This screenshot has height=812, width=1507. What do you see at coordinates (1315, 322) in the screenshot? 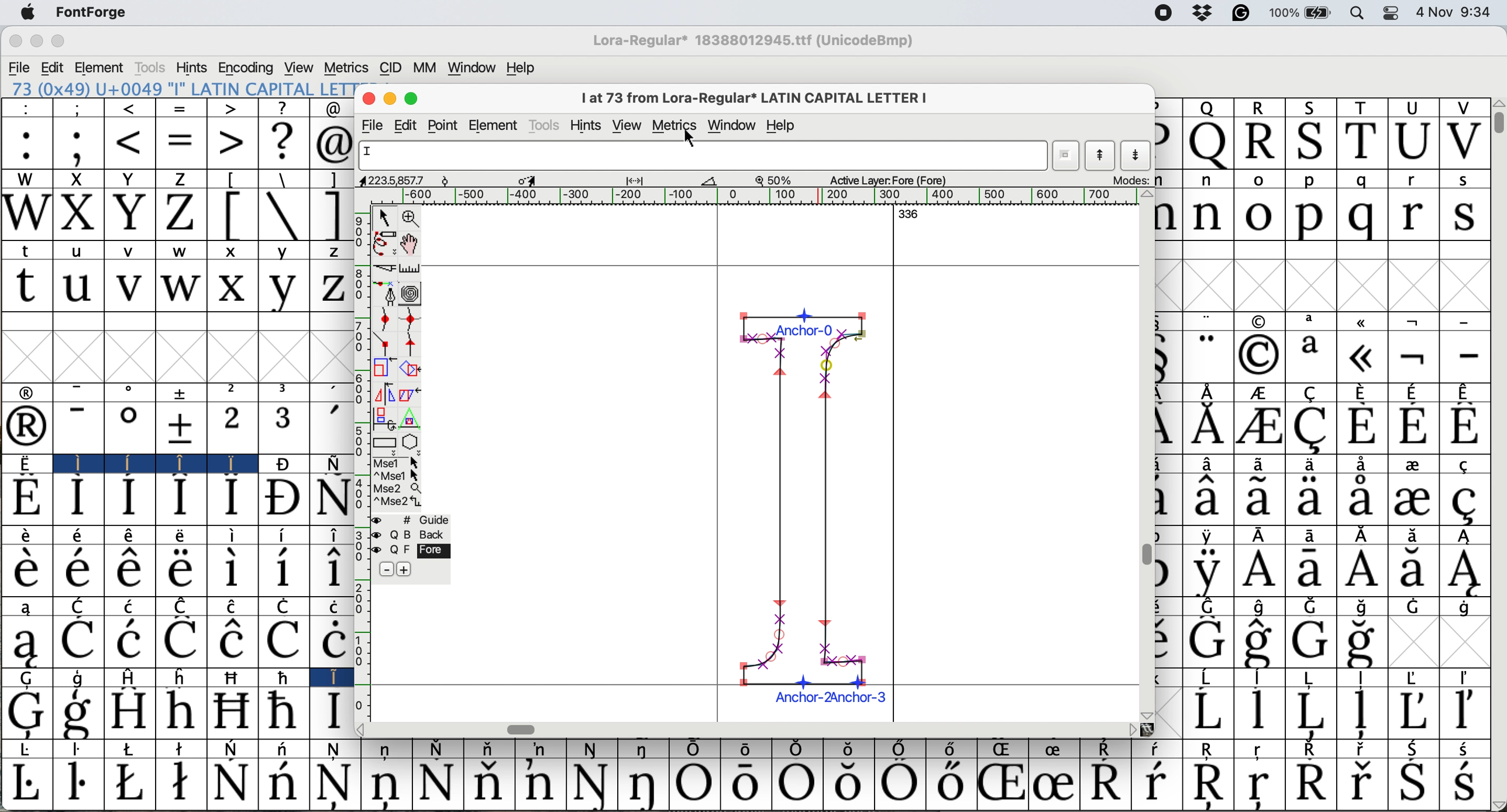
I see `a` at bounding box center [1315, 322].